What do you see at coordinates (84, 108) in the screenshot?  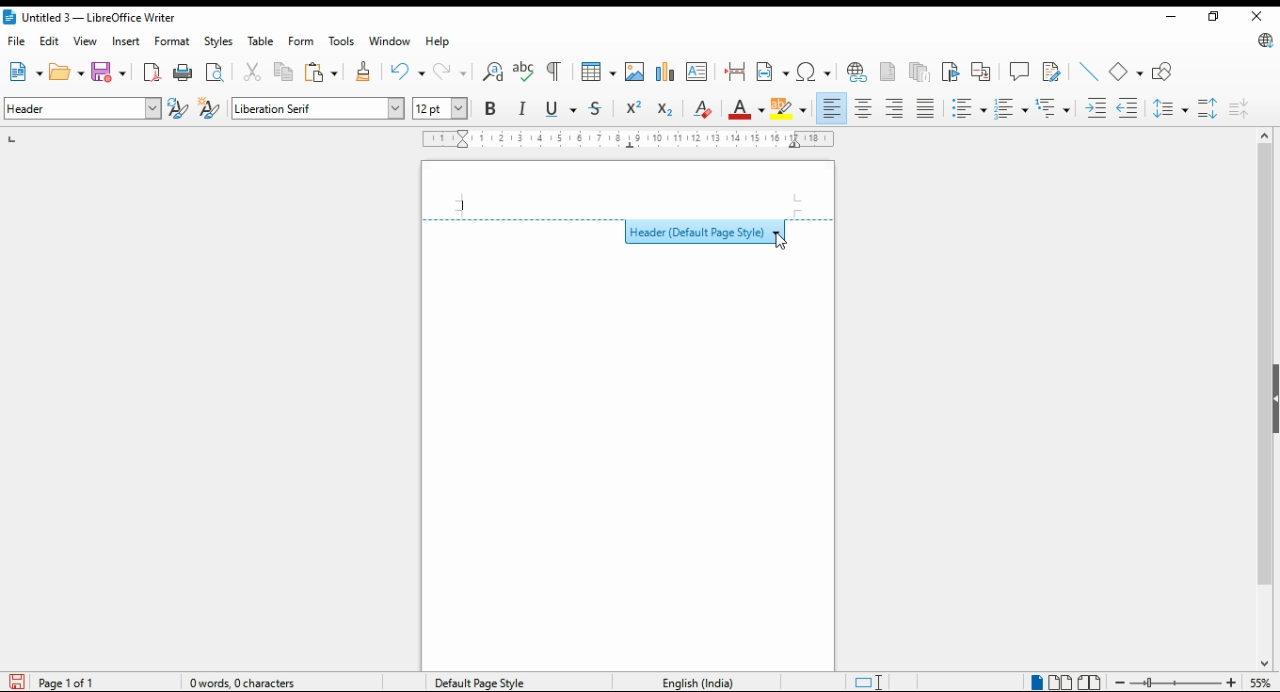 I see `paragraph style` at bounding box center [84, 108].